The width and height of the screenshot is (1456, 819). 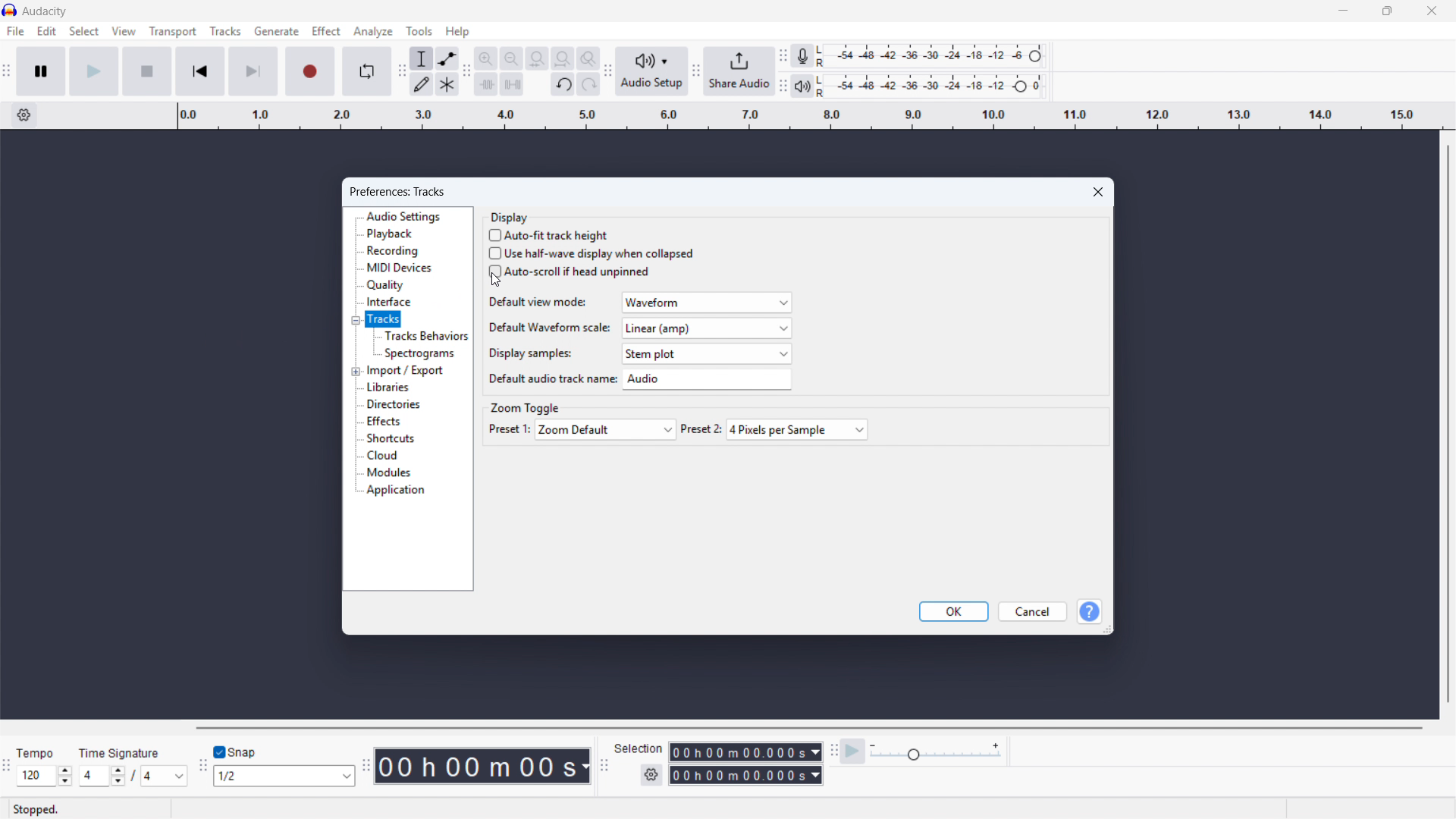 I want to click on tools toolbar, so click(x=401, y=71).